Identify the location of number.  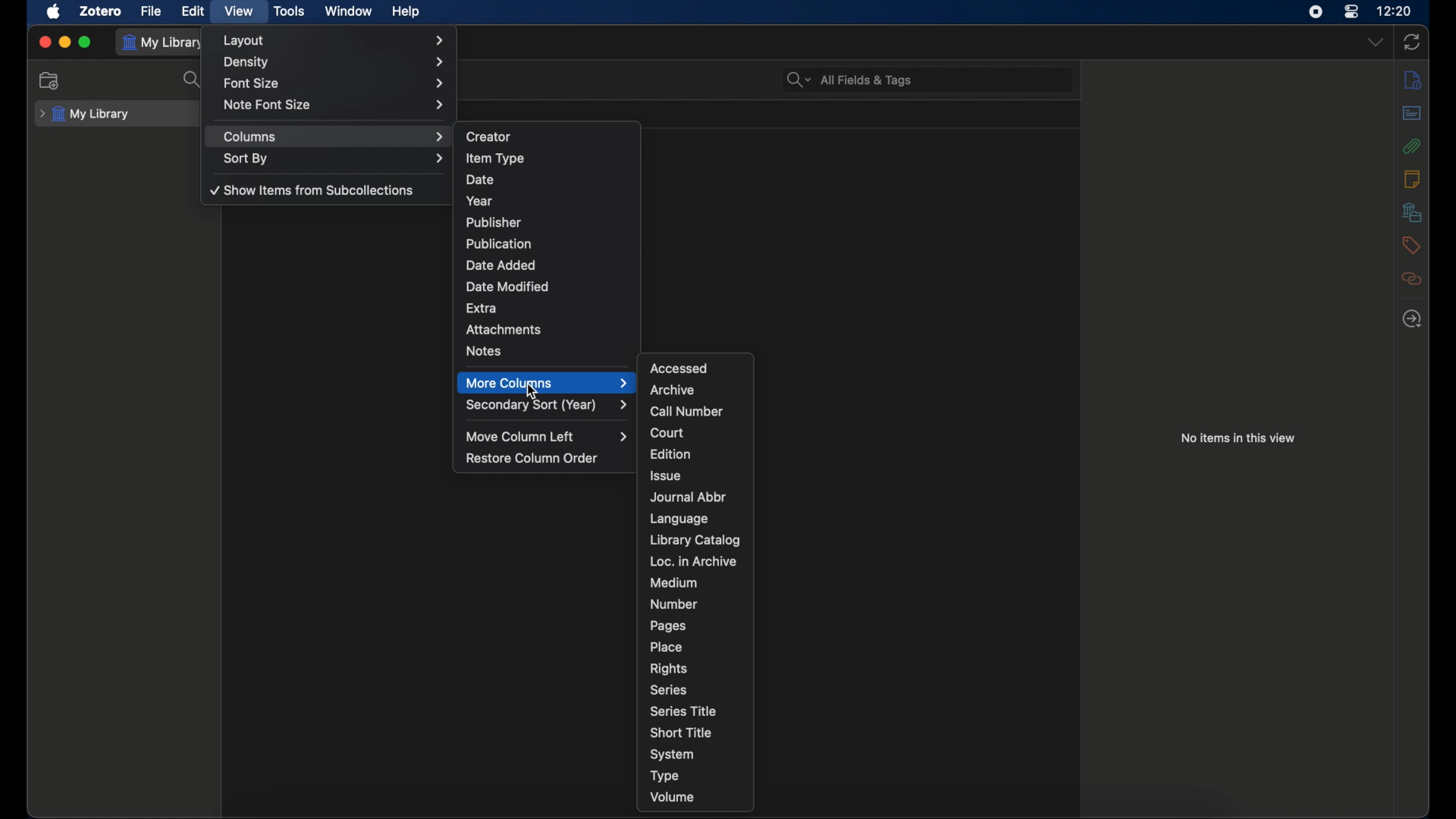
(674, 604).